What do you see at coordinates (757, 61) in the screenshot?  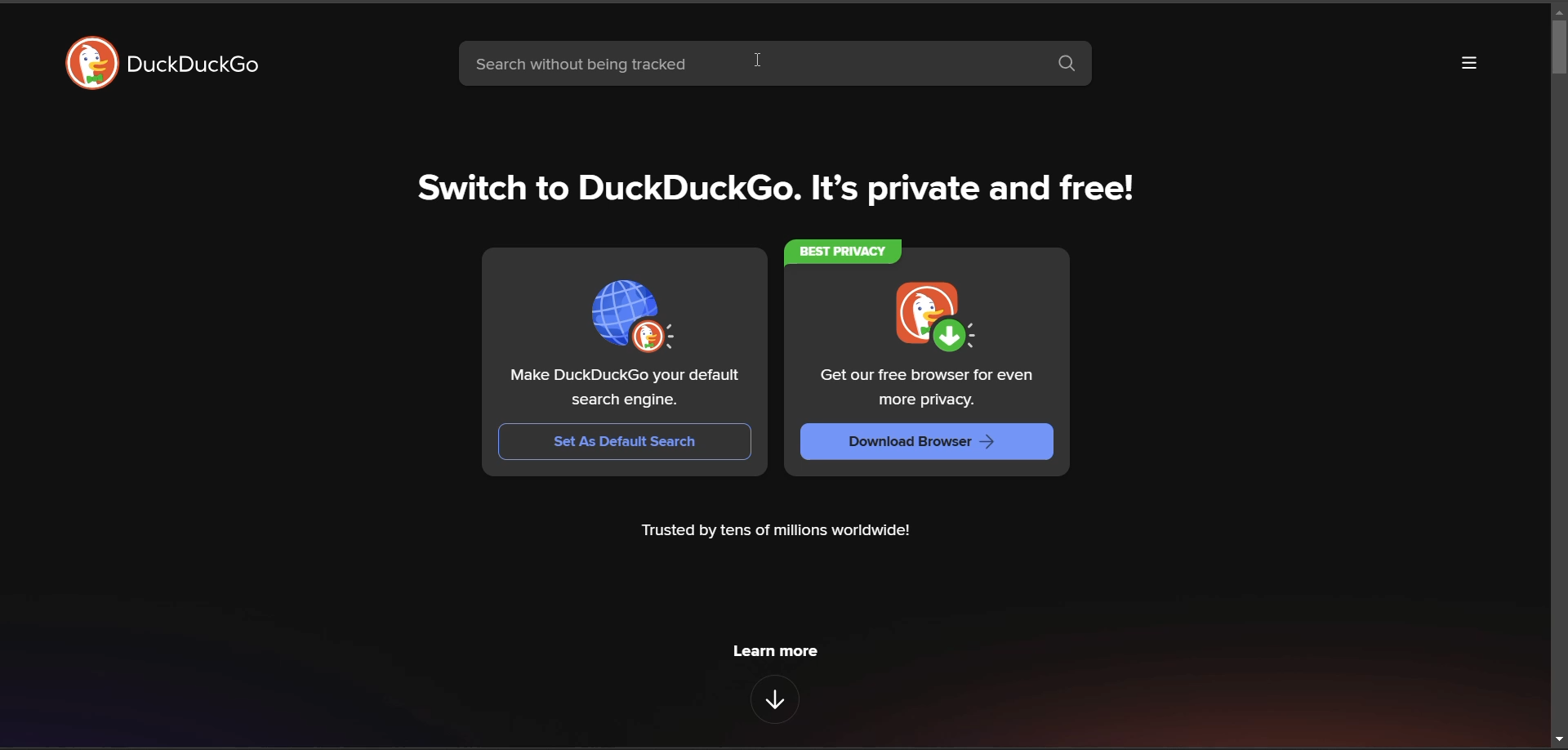 I see `cursor` at bounding box center [757, 61].